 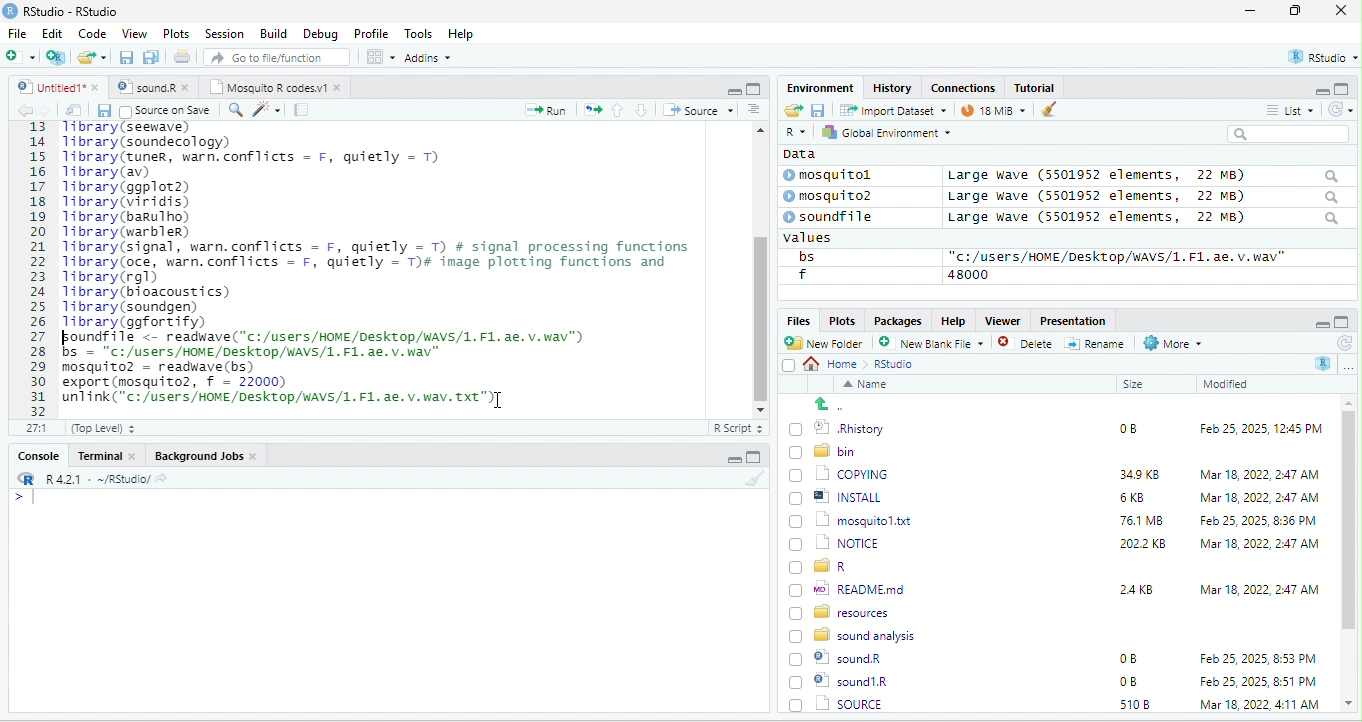 What do you see at coordinates (1337, 109) in the screenshot?
I see `refresh` at bounding box center [1337, 109].